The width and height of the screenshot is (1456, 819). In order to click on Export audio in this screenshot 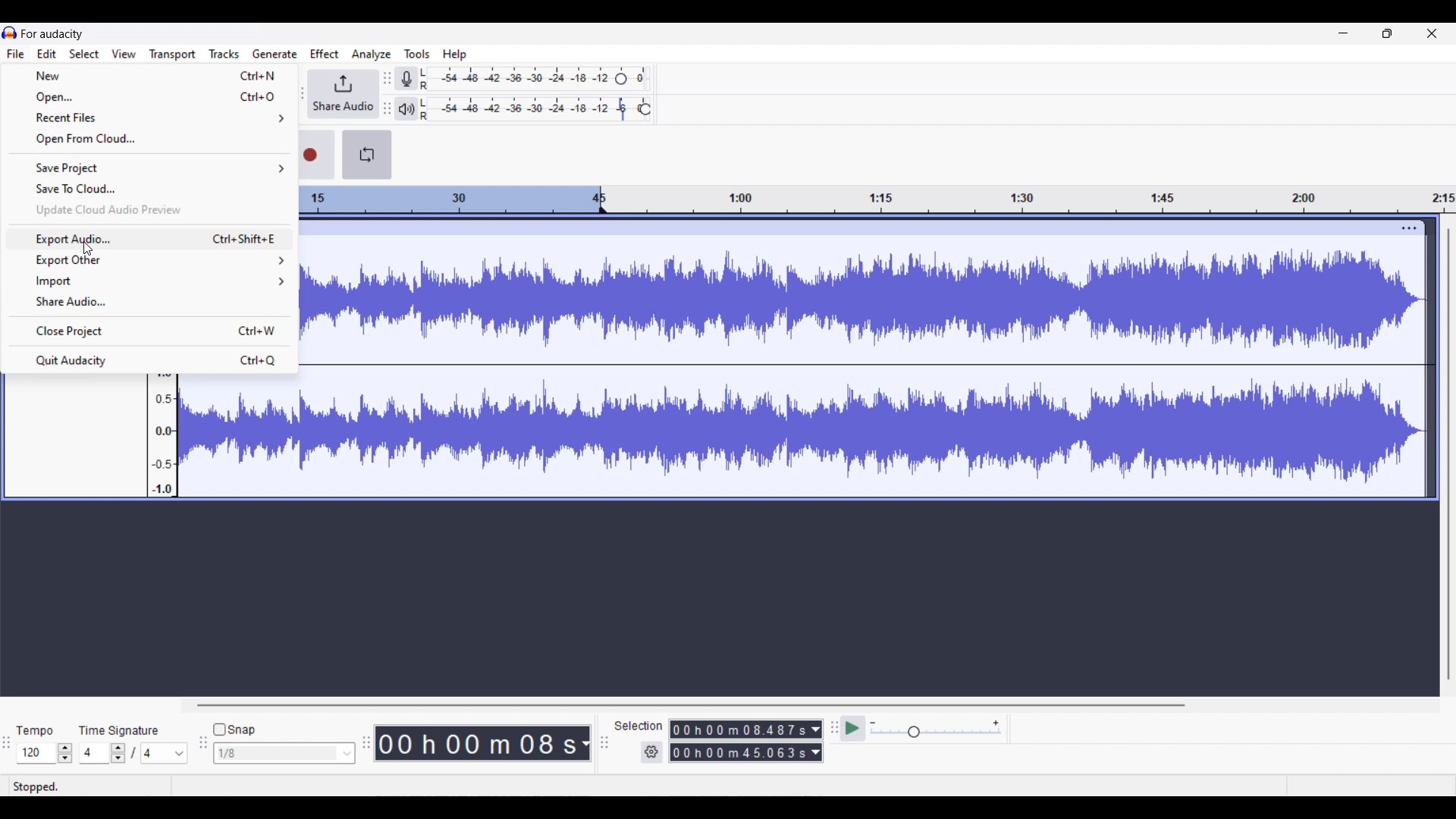, I will do `click(151, 240)`.